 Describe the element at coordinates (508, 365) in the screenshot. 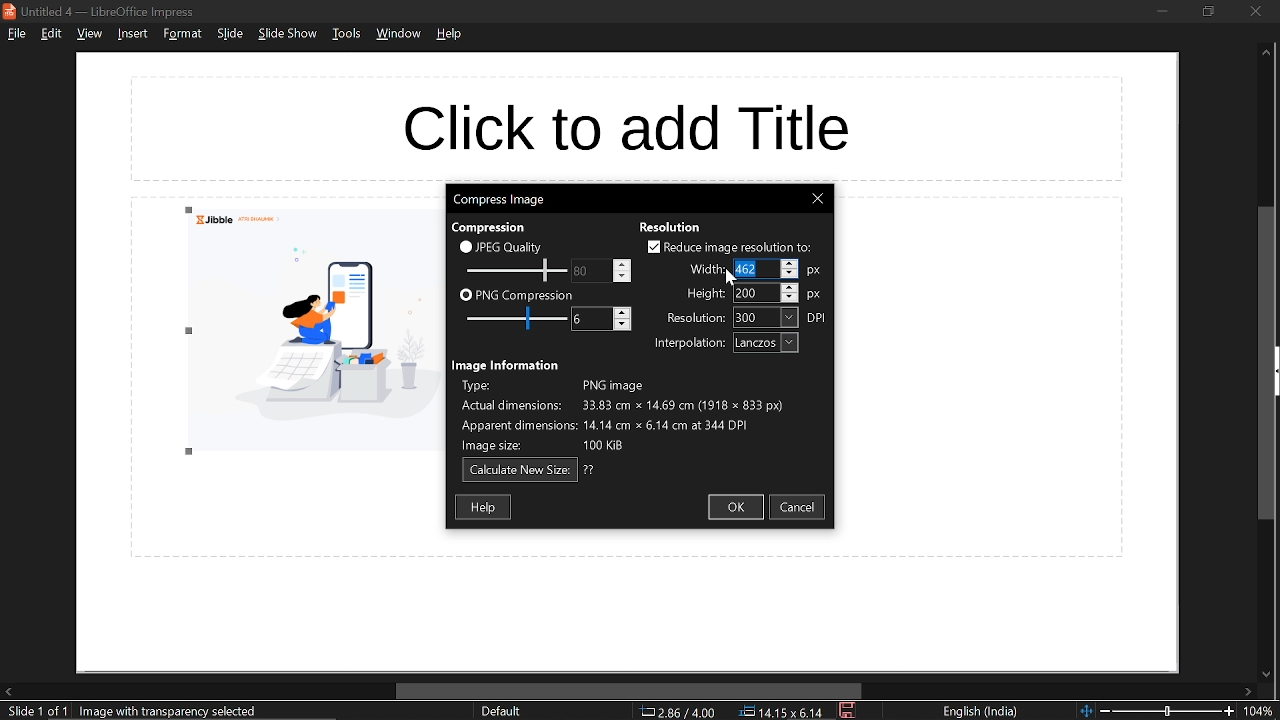

I see `image information` at that location.